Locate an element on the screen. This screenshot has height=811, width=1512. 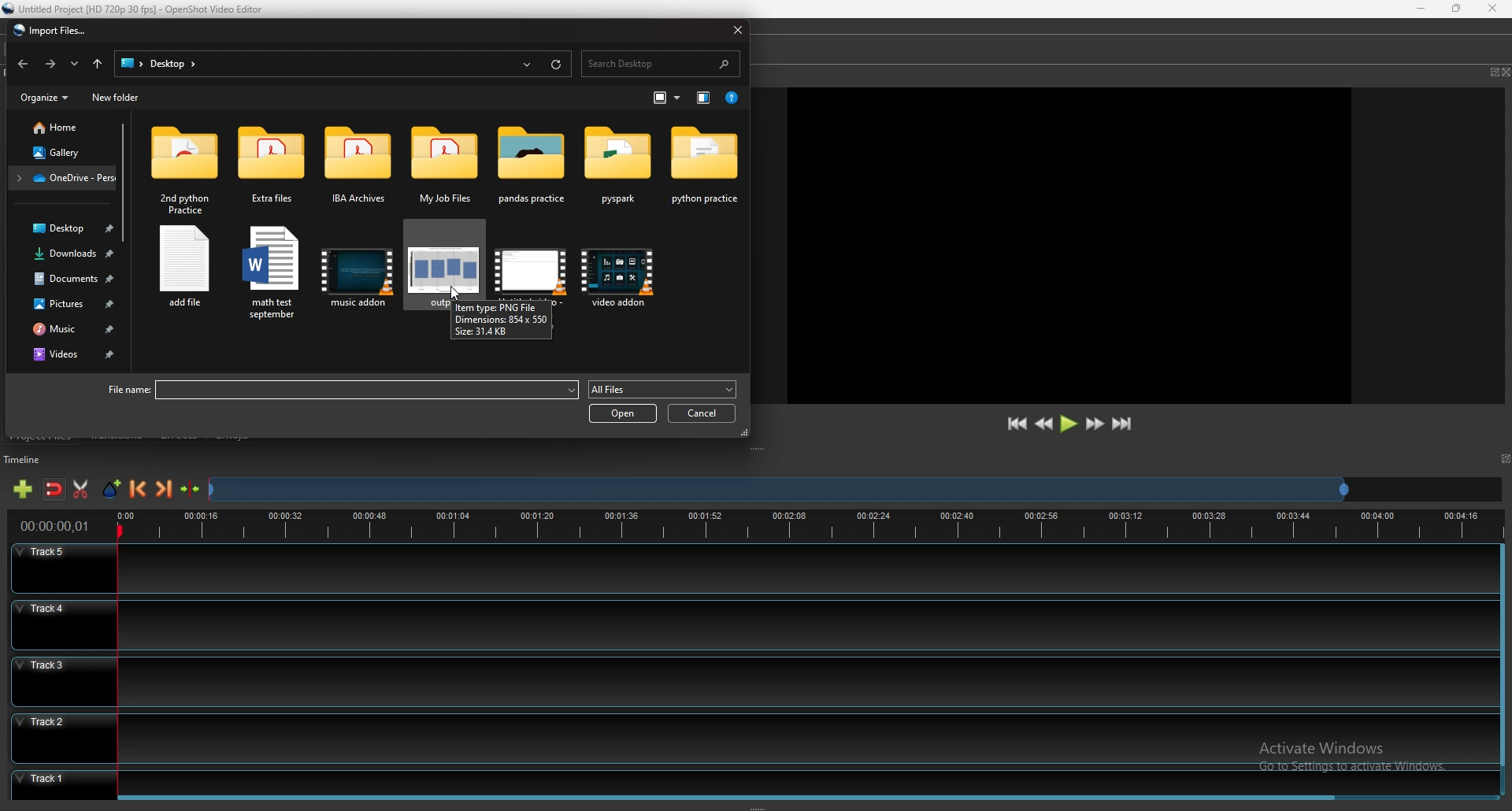
next marker is located at coordinates (165, 488).